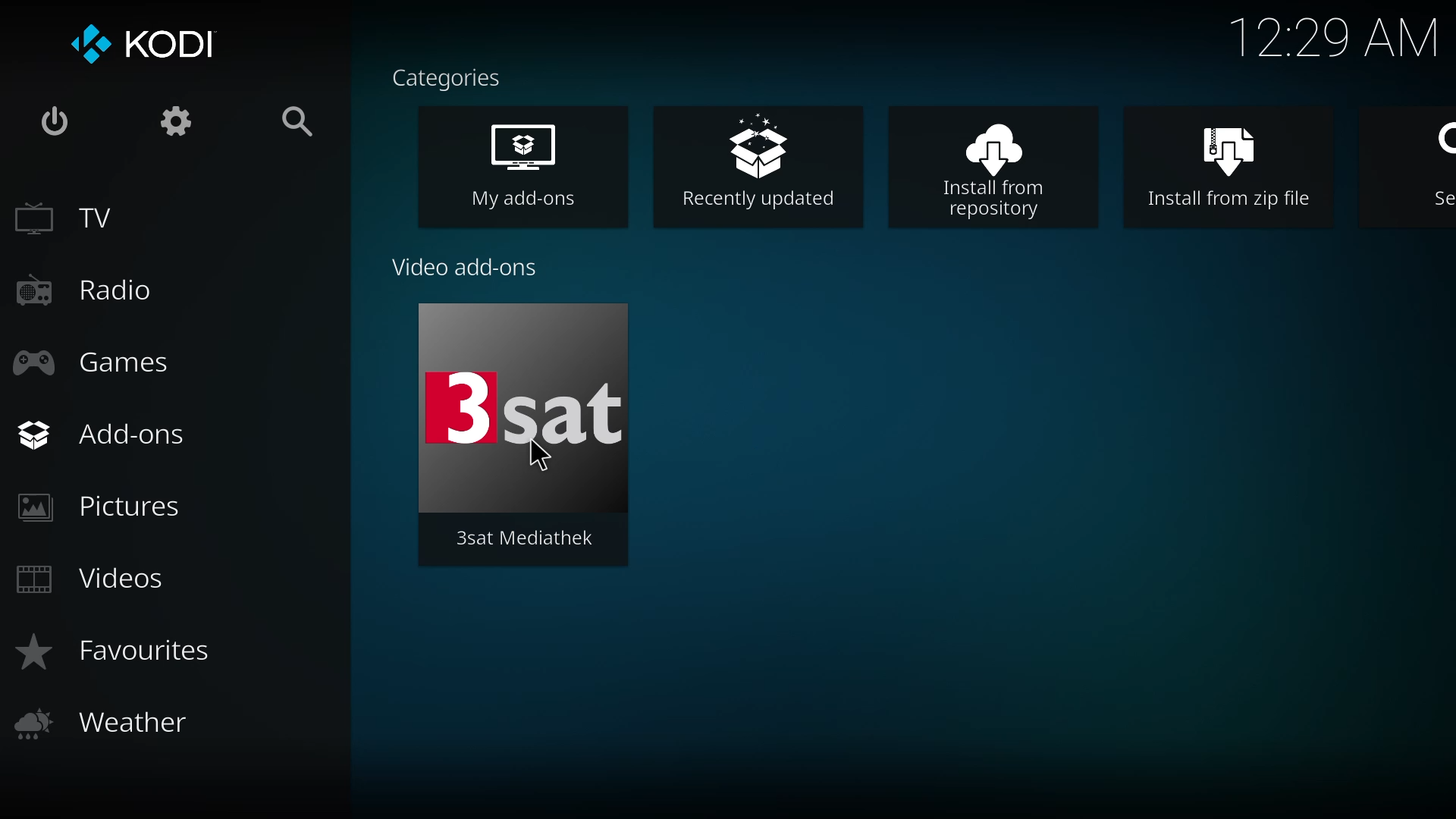  I want to click on videos, so click(100, 576).